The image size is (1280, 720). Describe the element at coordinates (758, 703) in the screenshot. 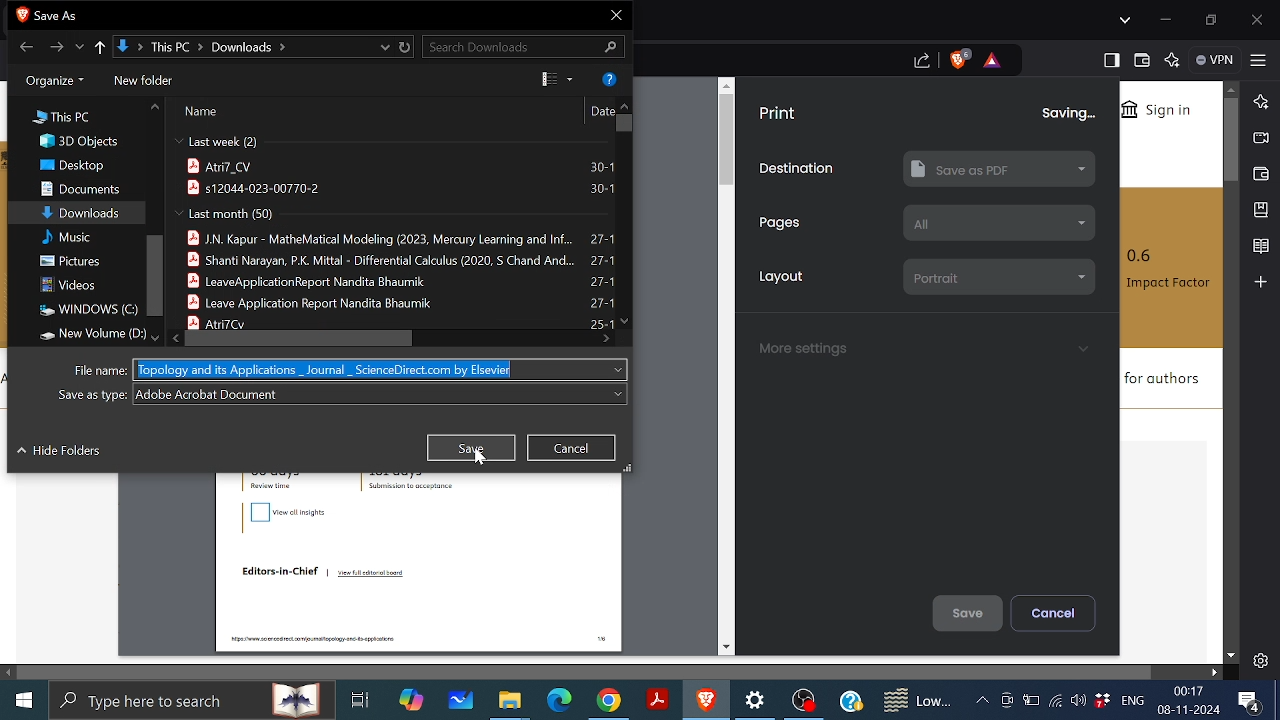

I see `Settings` at that location.